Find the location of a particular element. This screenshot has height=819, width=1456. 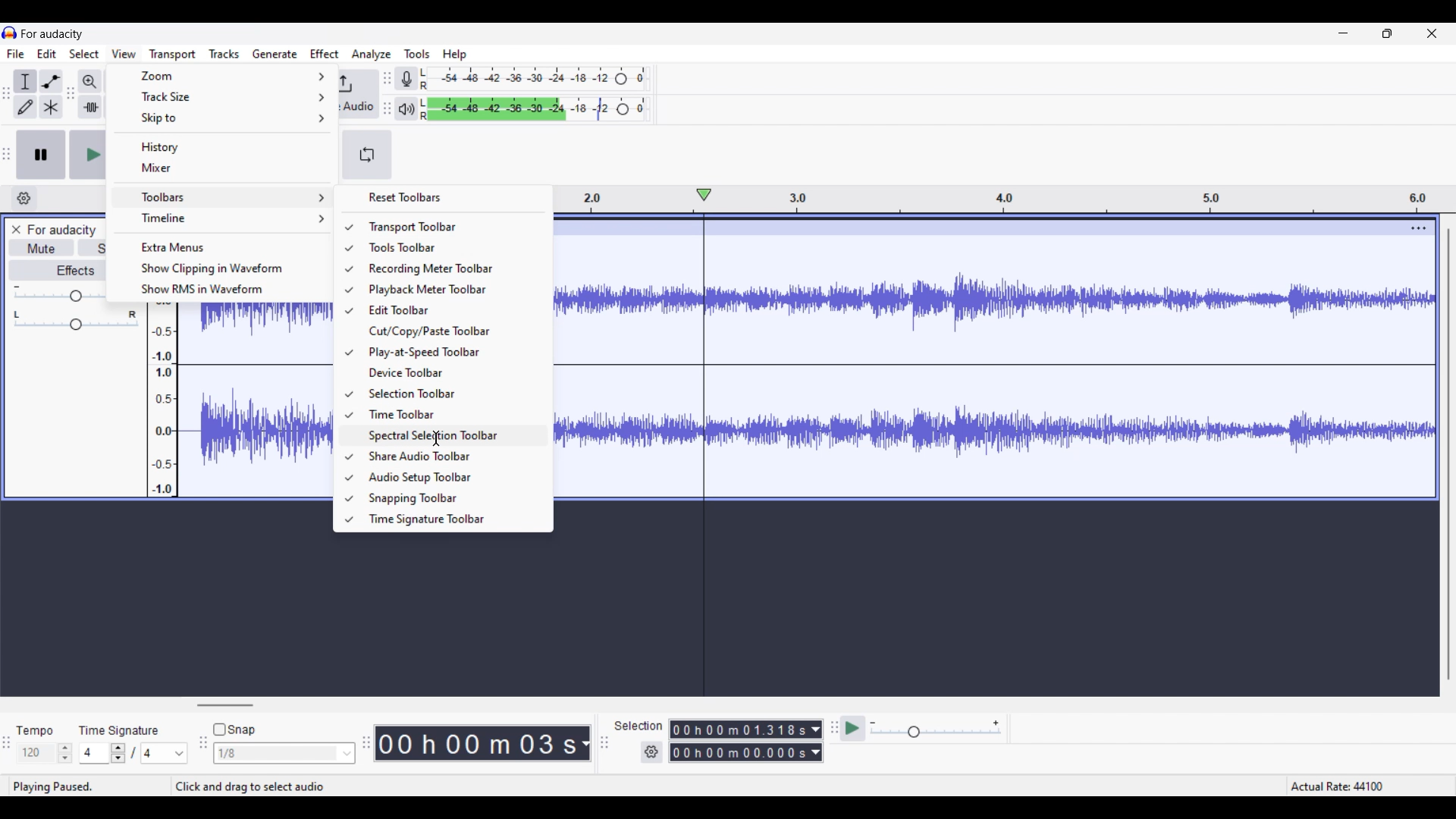

Selection settings is located at coordinates (651, 752).